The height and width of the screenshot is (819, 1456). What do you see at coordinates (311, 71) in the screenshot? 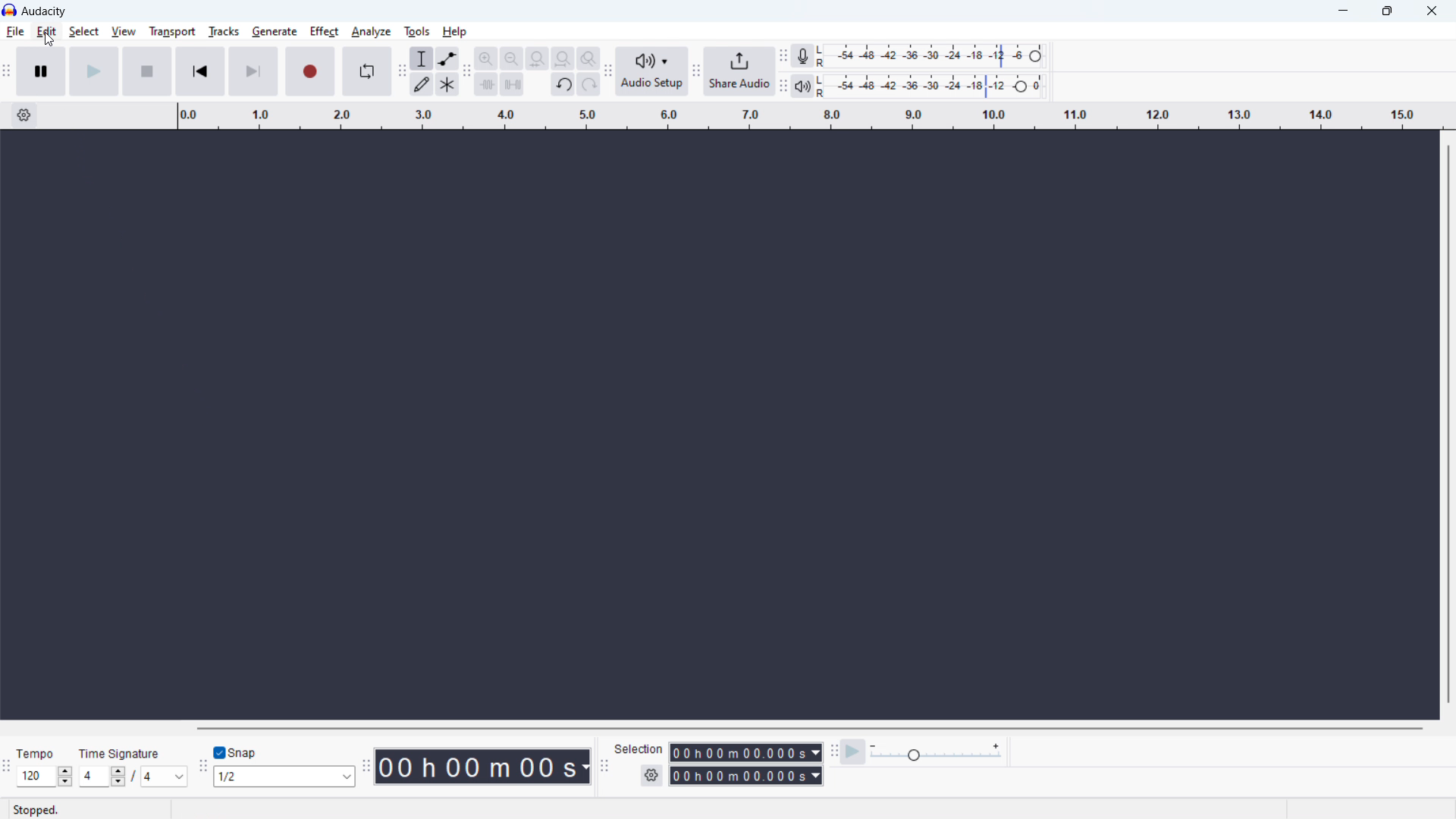
I see `record` at bounding box center [311, 71].